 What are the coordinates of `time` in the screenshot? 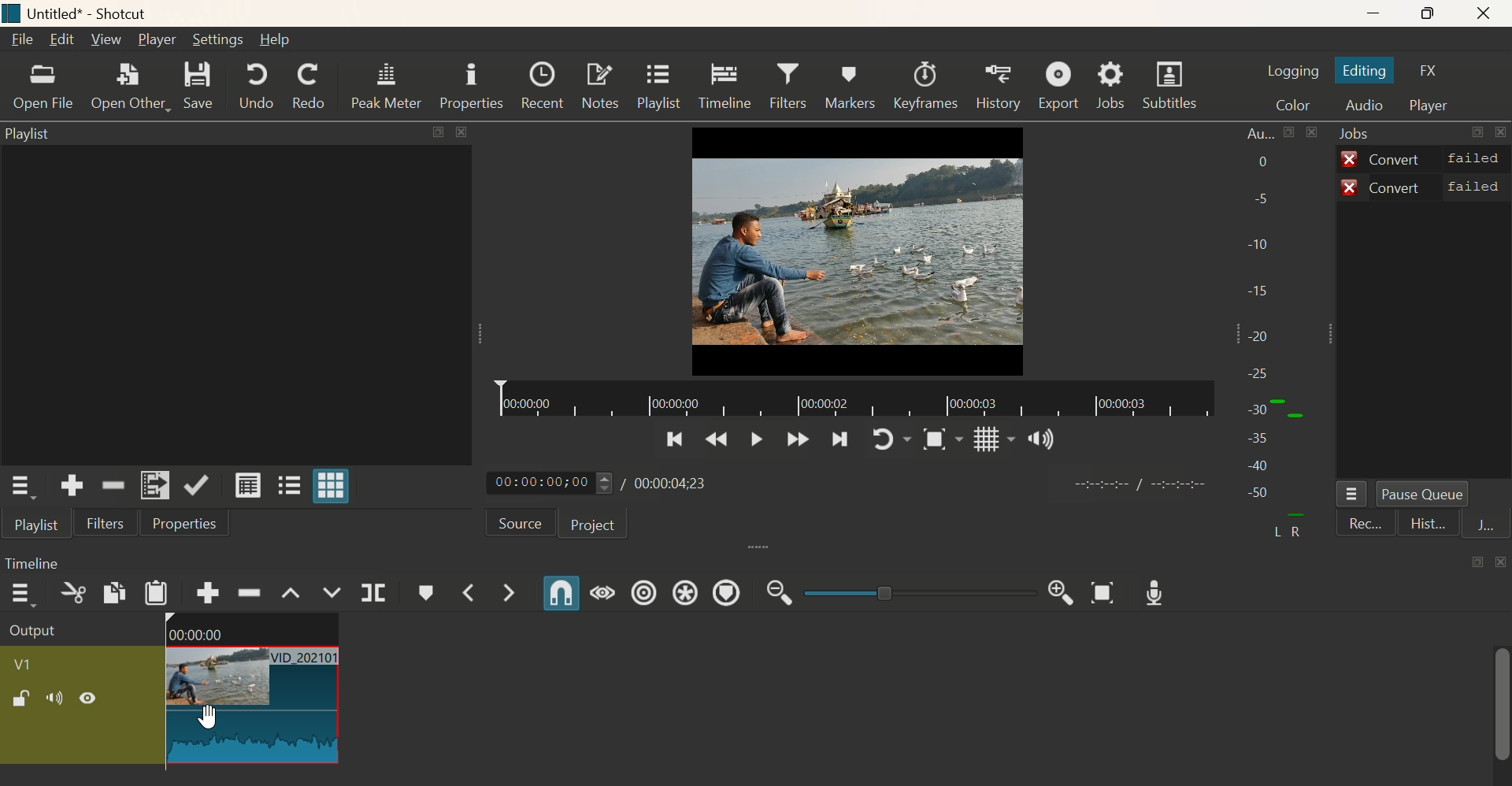 It's located at (1143, 484).